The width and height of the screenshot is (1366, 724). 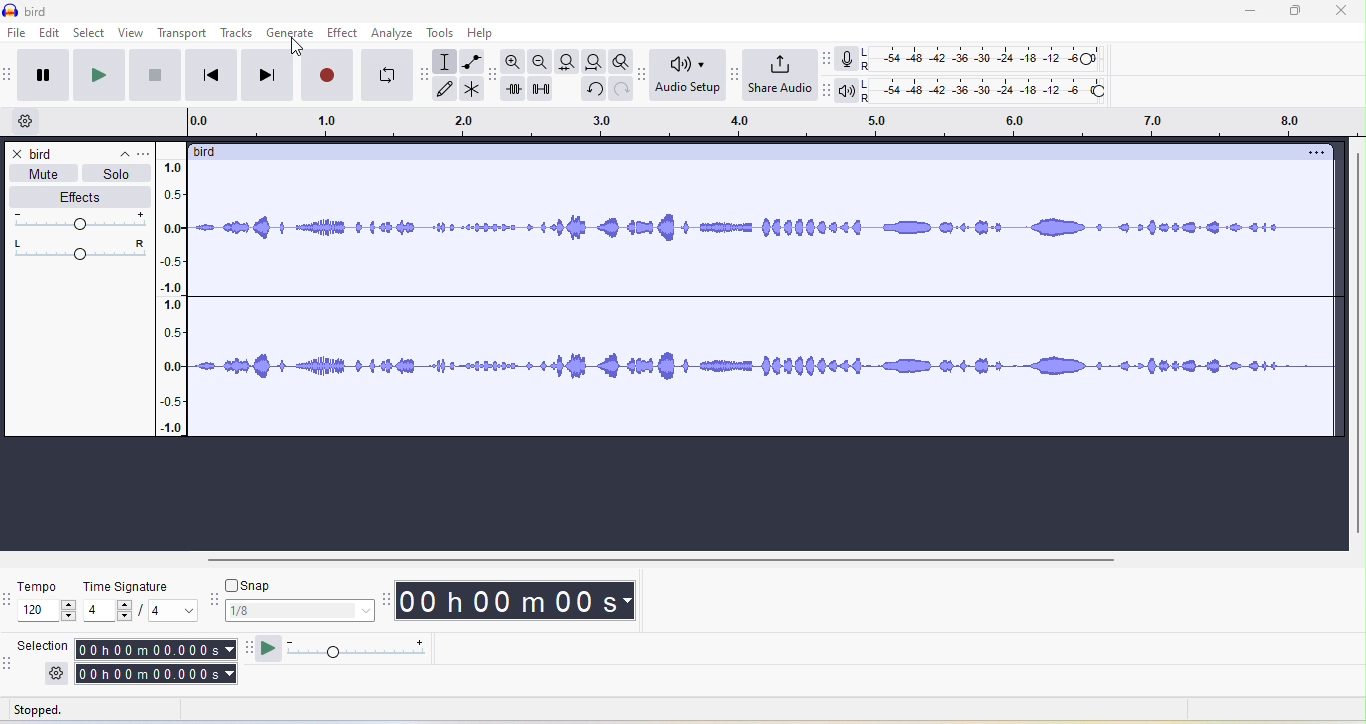 I want to click on audacity share audio toolbar, so click(x=731, y=79).